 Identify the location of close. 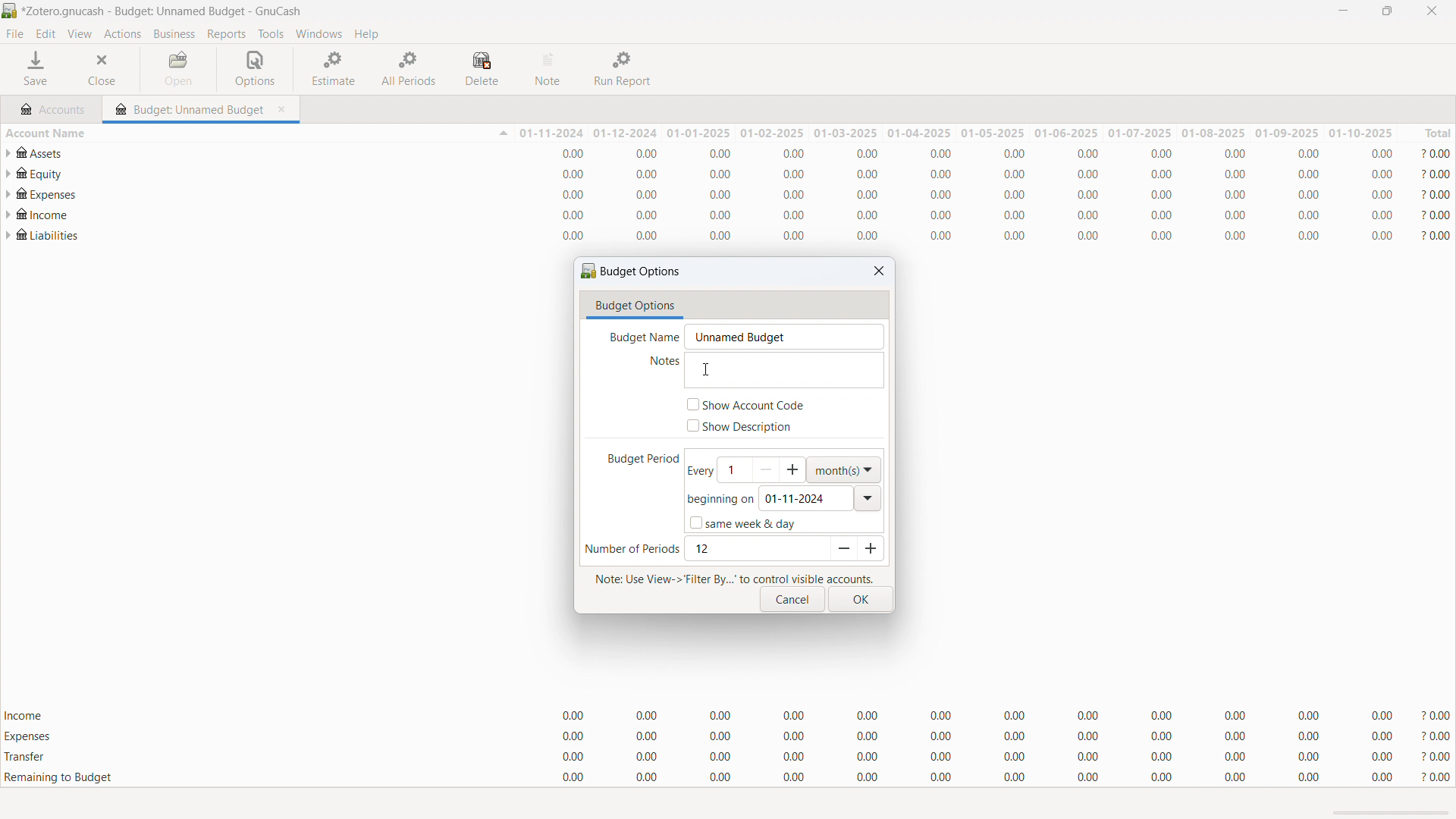
(1431, 11).